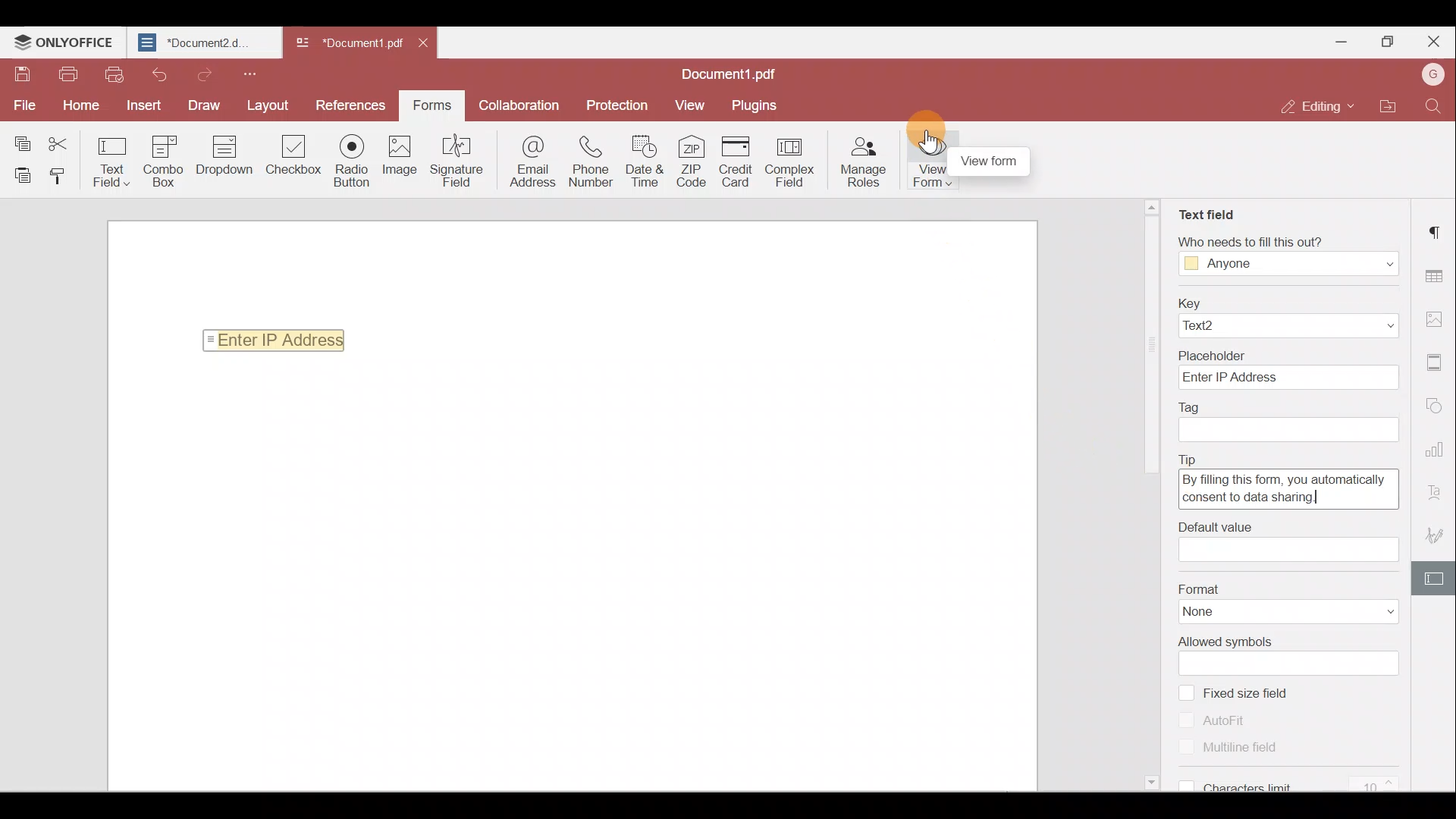  Describe the element at coordinates (1438, 532) in the screenshot. I see `Signature settings` at that location.